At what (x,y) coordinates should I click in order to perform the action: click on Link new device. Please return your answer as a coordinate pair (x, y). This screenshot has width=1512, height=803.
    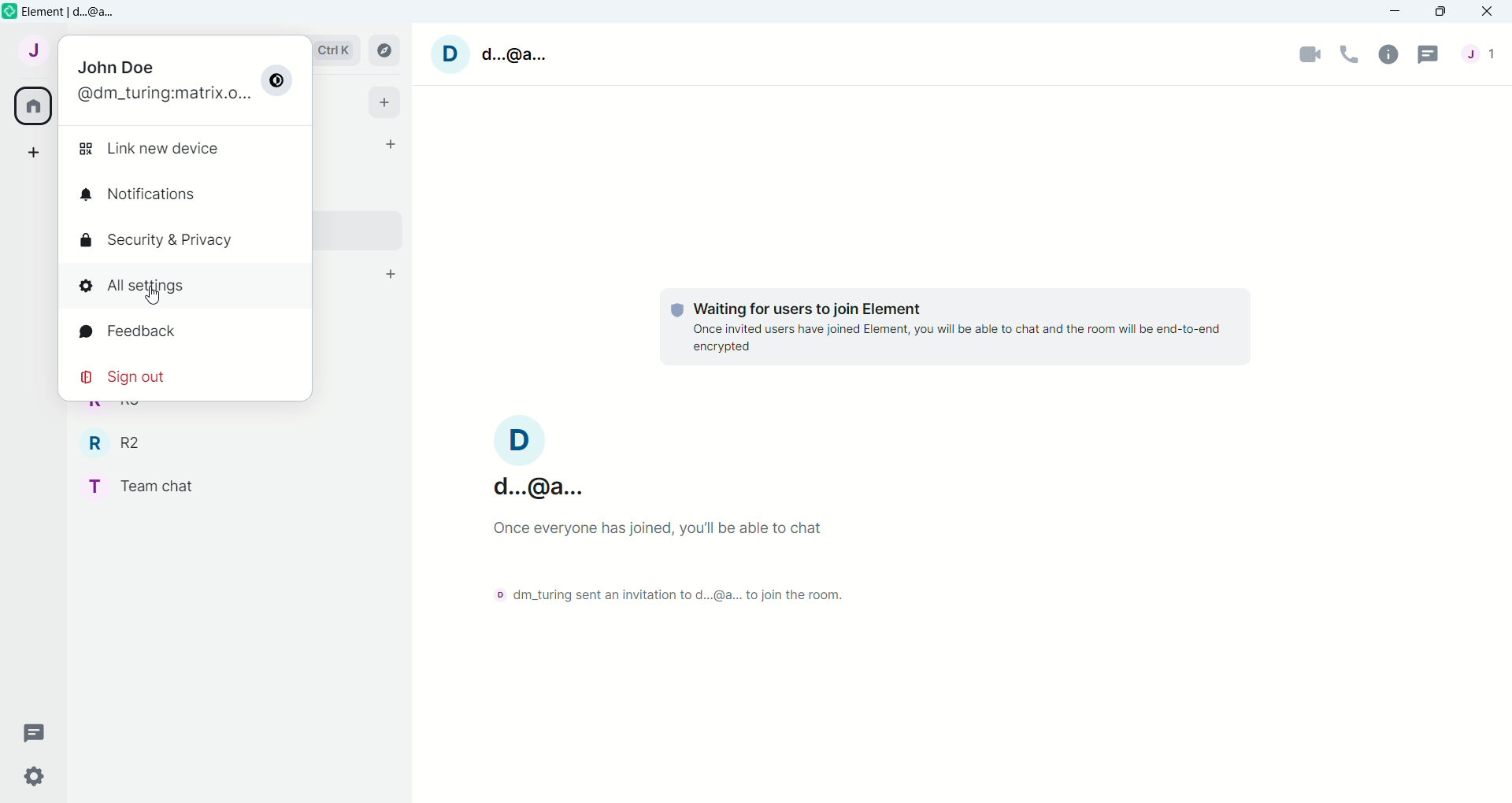
    Looking at the image, I should click on (157, 149).